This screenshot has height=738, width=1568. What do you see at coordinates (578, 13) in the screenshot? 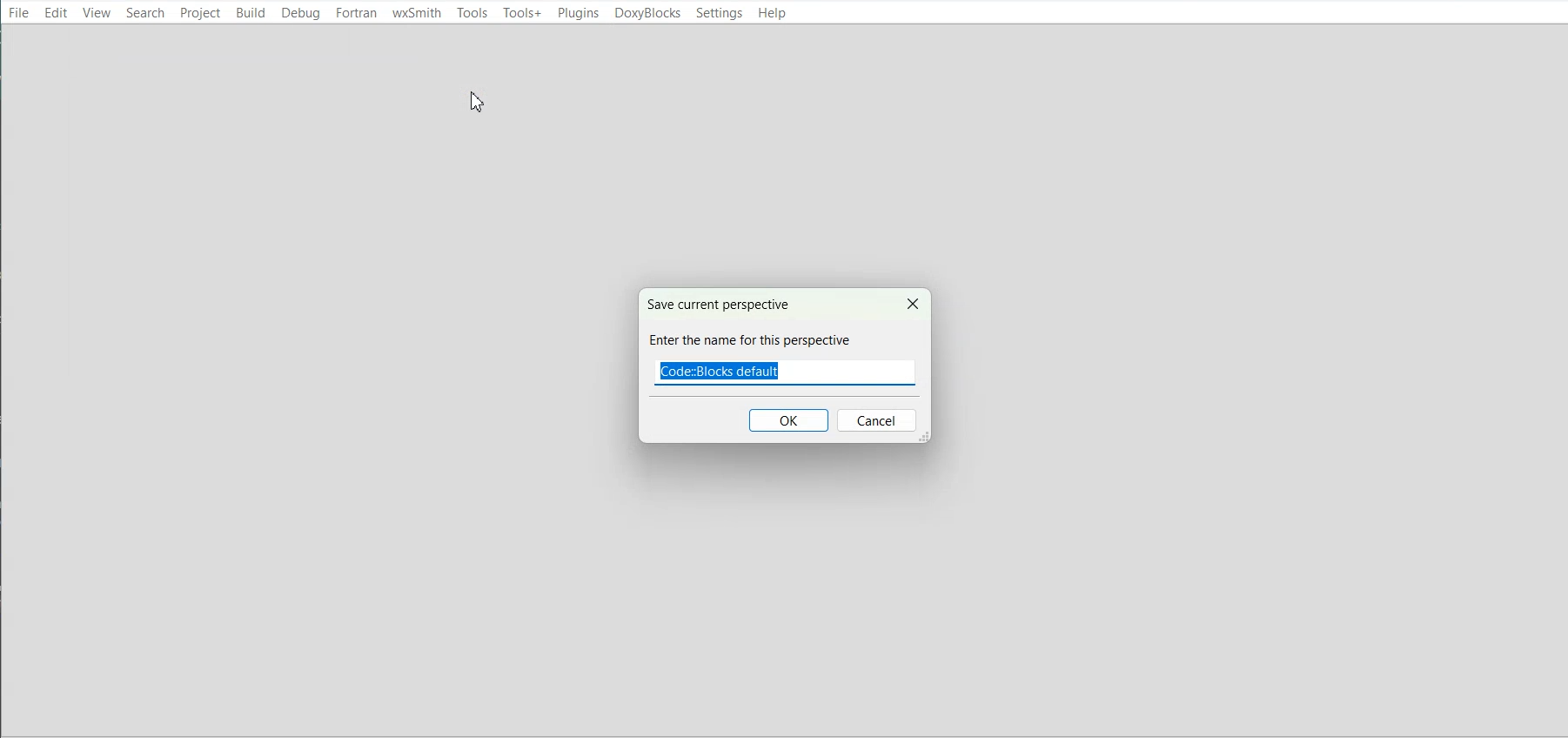
I see `Plugins` at bounding box center [578, 13].